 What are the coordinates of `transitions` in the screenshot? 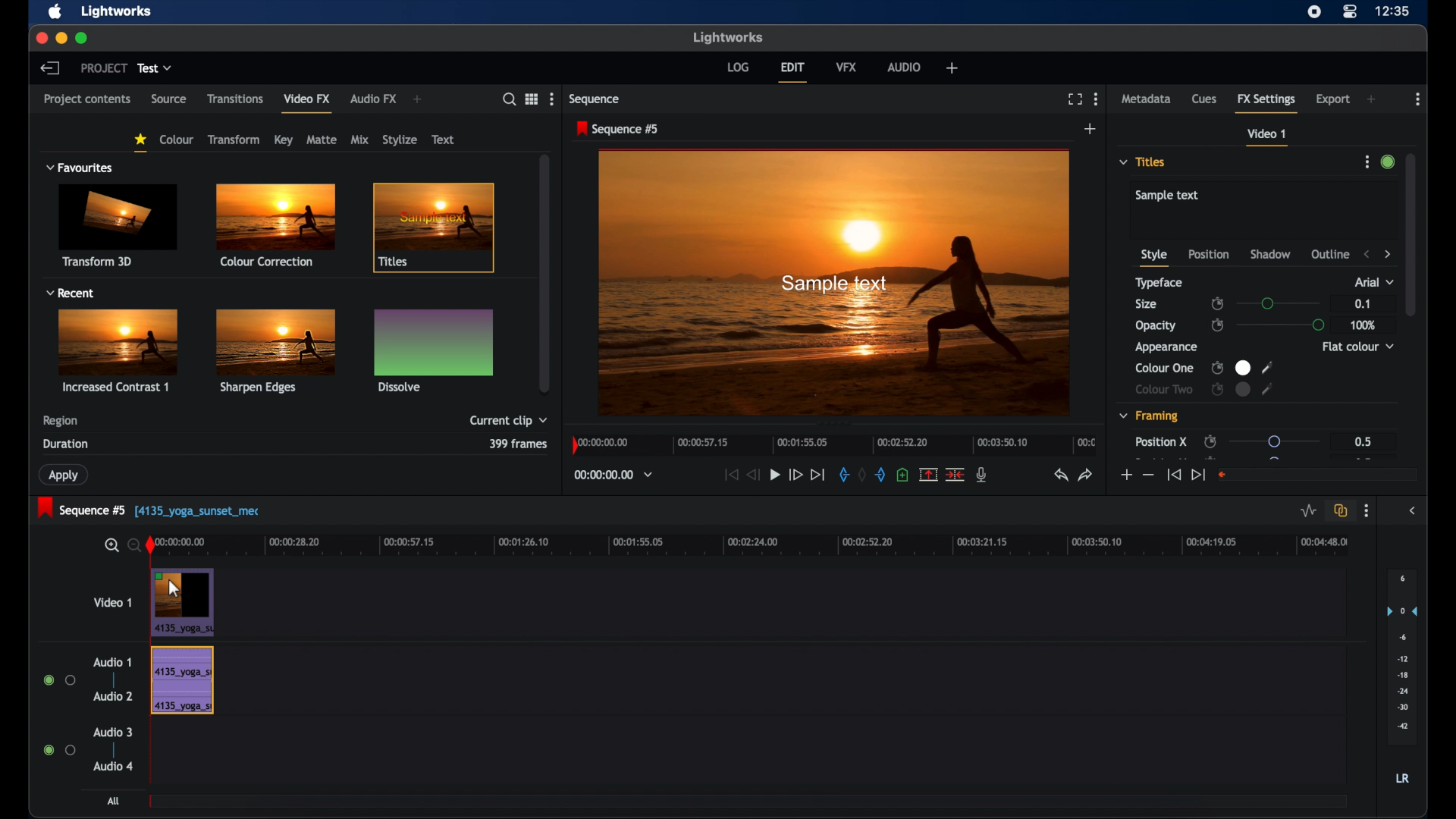 It's located at (236, 99).